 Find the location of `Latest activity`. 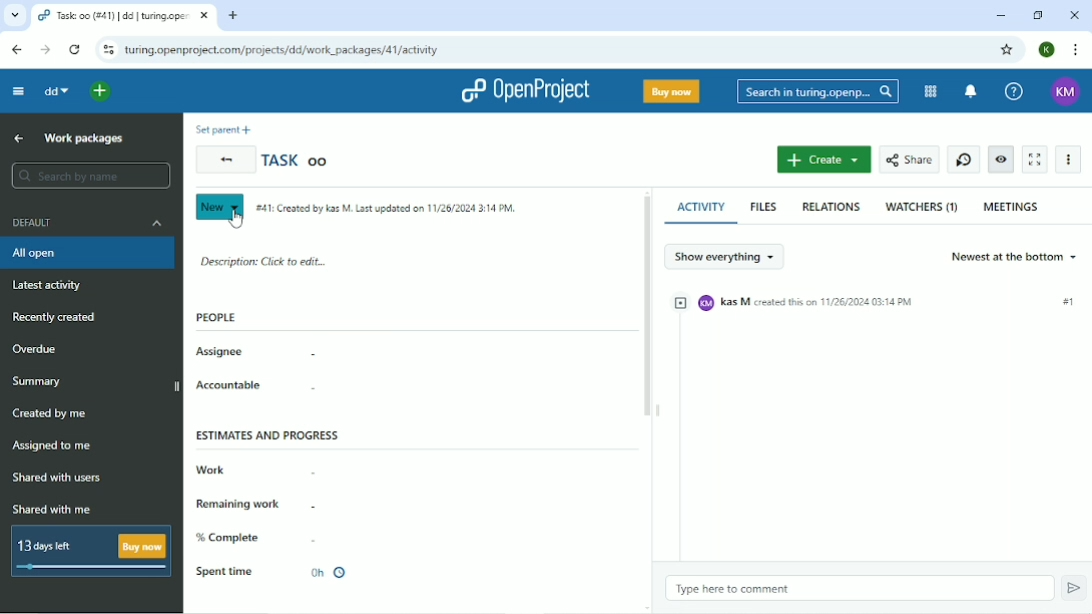

Latest activity is located at coordinates (46, 286).